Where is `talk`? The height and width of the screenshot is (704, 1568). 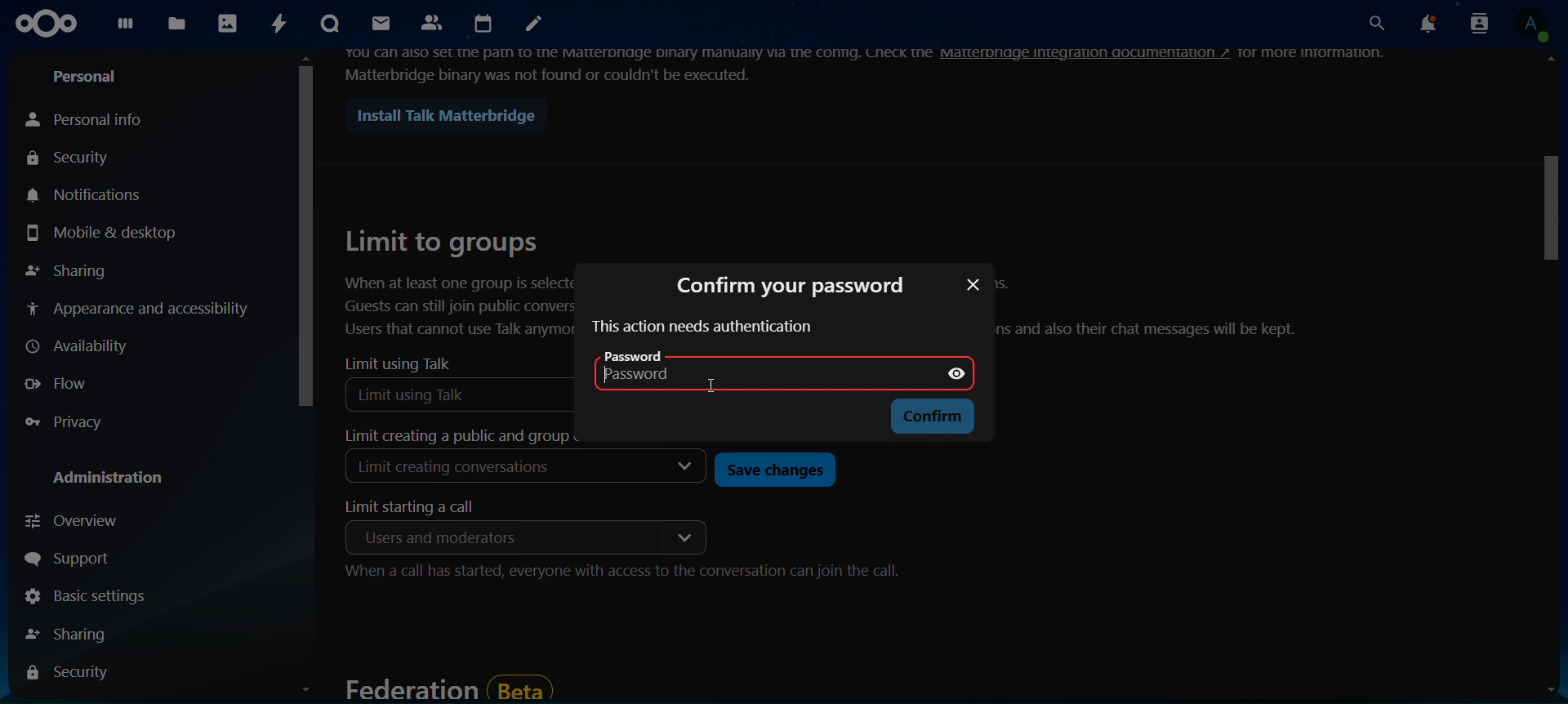 talk is located at coordinates (327, 25).